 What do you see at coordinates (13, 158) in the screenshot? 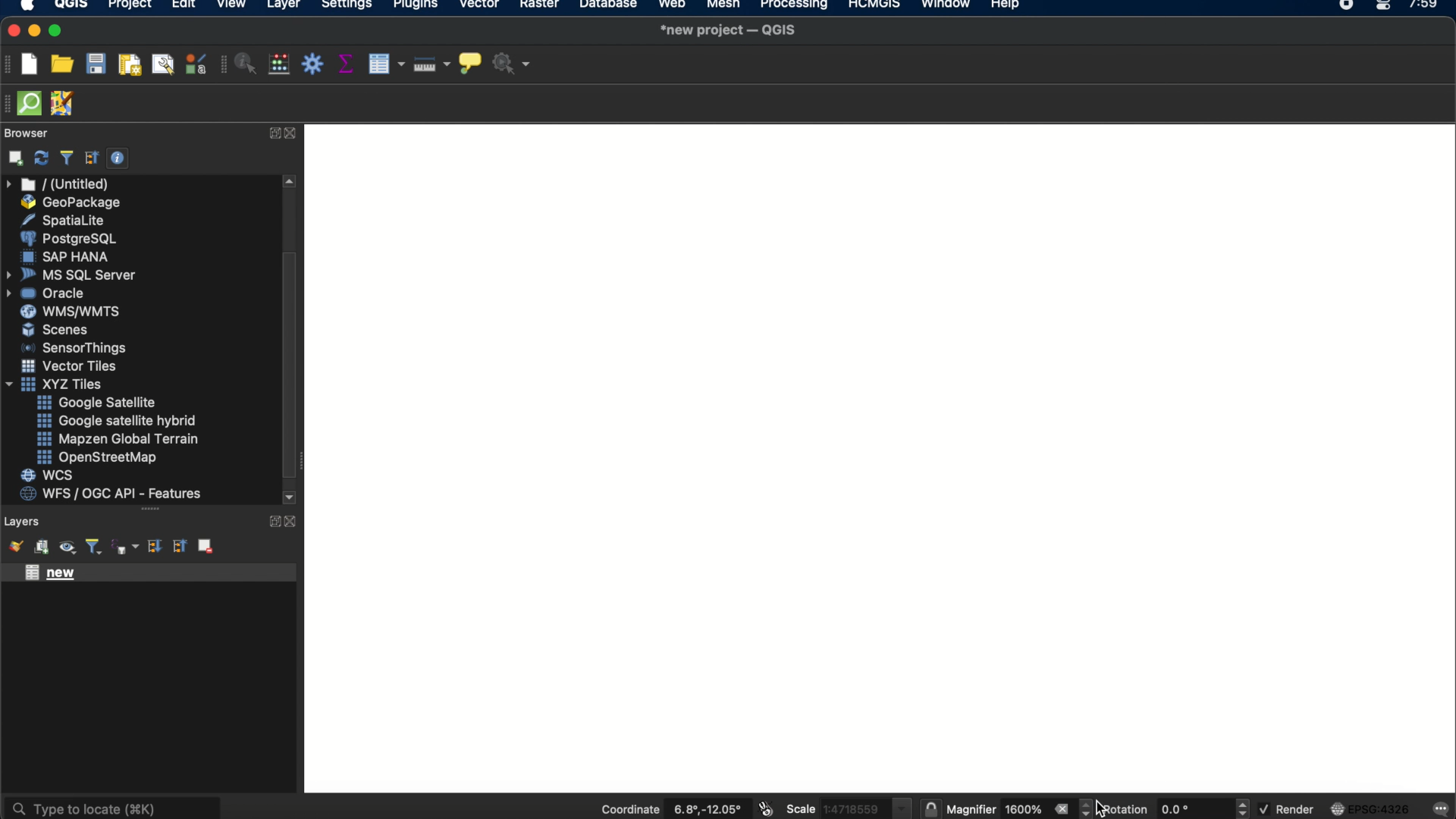
I see `add selected layers` at bounding box center [13, 158].